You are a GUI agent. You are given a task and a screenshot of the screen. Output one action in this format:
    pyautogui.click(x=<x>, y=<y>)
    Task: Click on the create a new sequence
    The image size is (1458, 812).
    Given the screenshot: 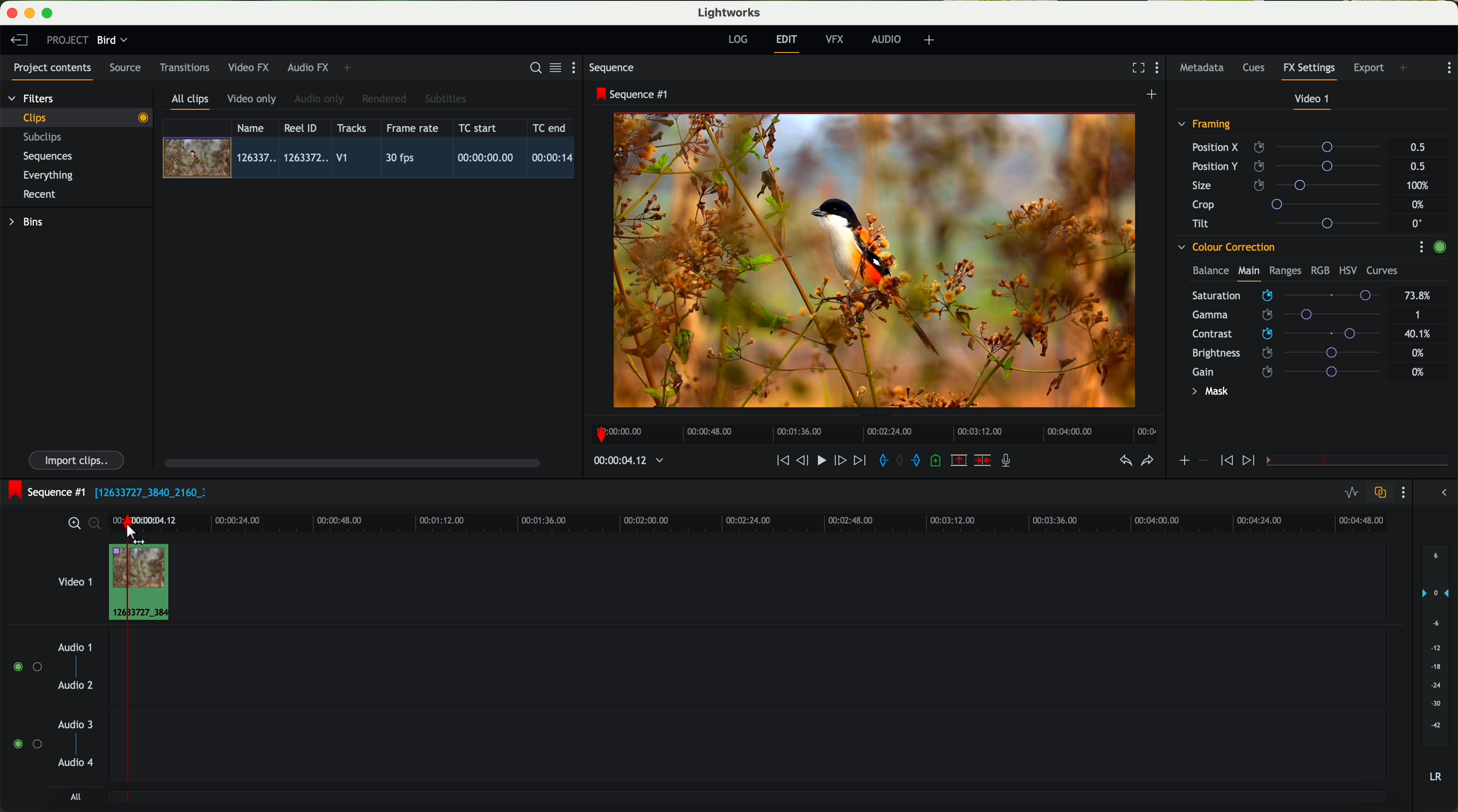 What is the action you would take?
    pyautogui.click(x=1153, y=95)
    